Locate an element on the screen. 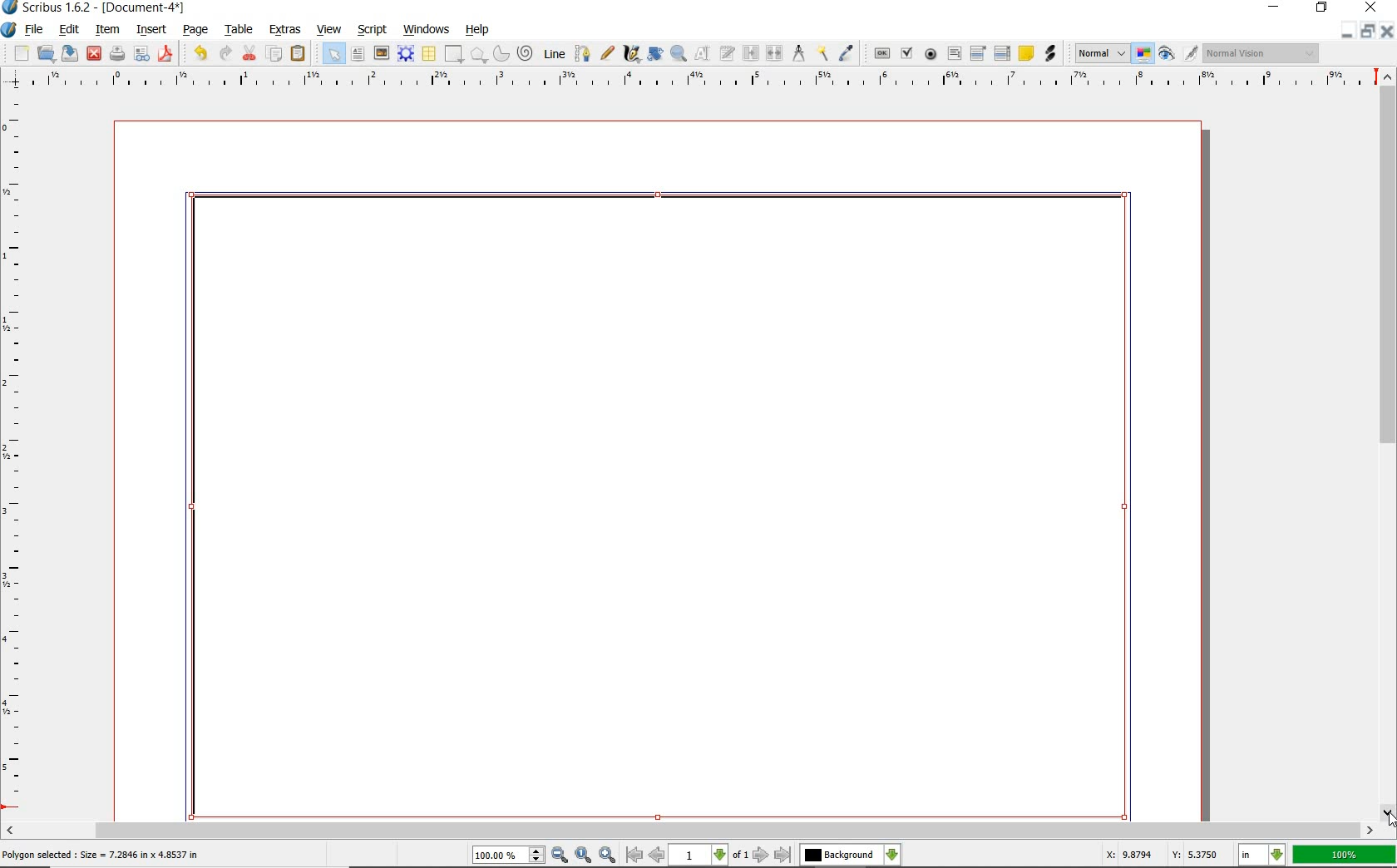 The width and height of the screenshot is (1397, 868). unlink text frames is located at coordinates (773, 52).